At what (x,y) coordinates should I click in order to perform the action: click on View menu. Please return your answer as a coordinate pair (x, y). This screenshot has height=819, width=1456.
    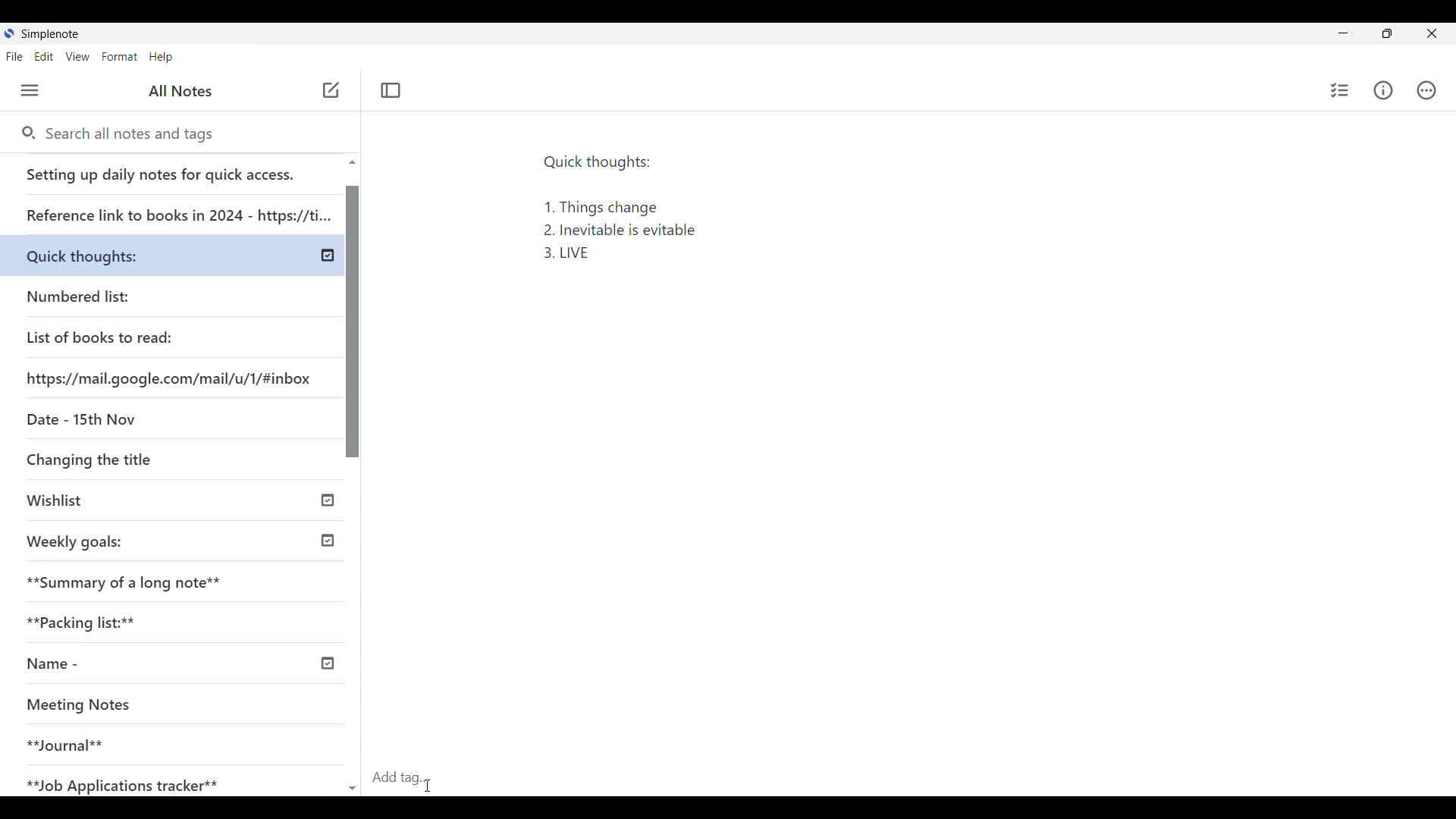
    Looking at the image, I should click on (77, 57).